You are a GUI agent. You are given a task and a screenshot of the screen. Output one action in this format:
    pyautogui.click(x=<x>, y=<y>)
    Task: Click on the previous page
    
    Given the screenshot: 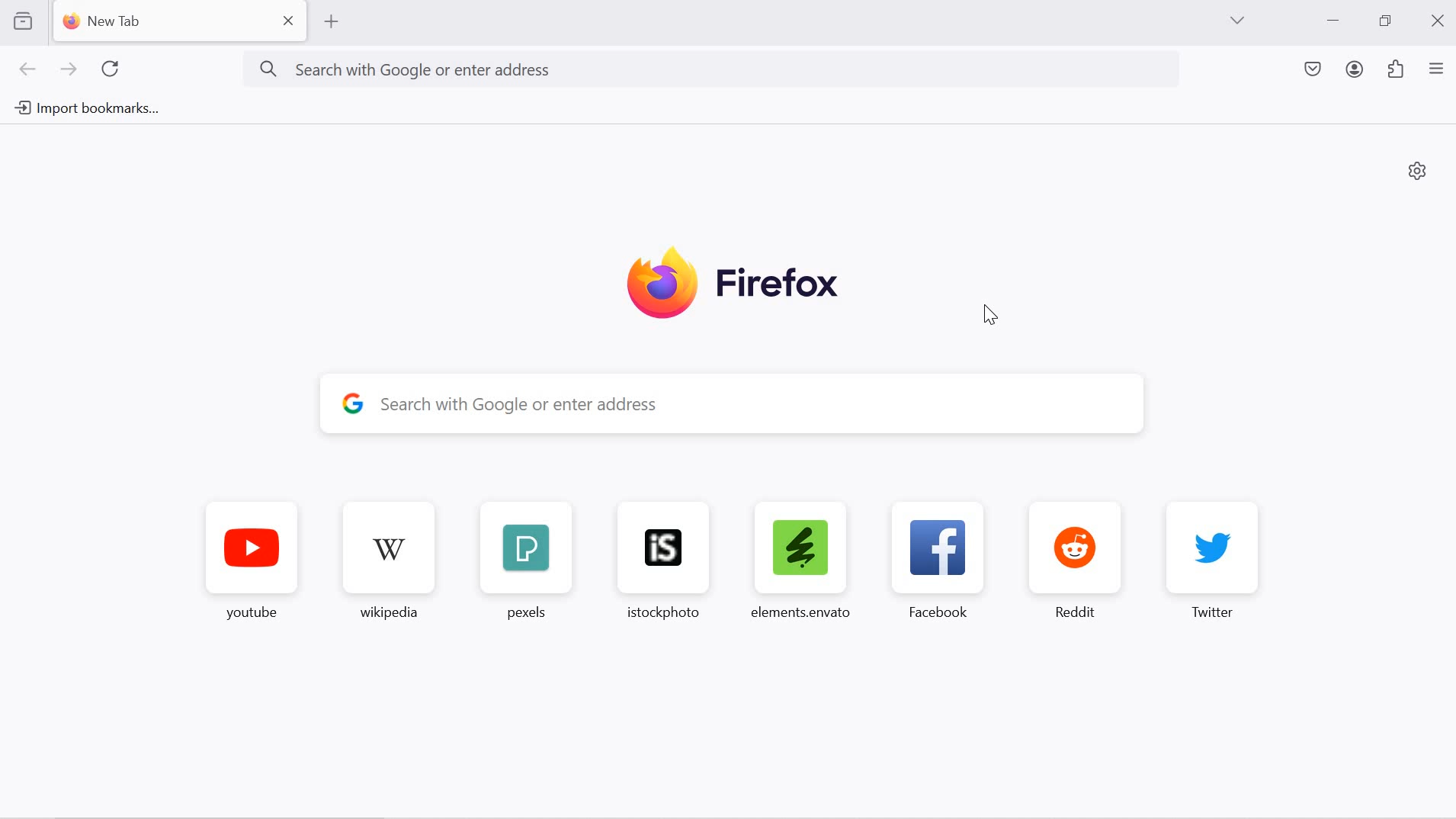 What is the action you would take?
    pyautogui.click(x=30, y=71)
    